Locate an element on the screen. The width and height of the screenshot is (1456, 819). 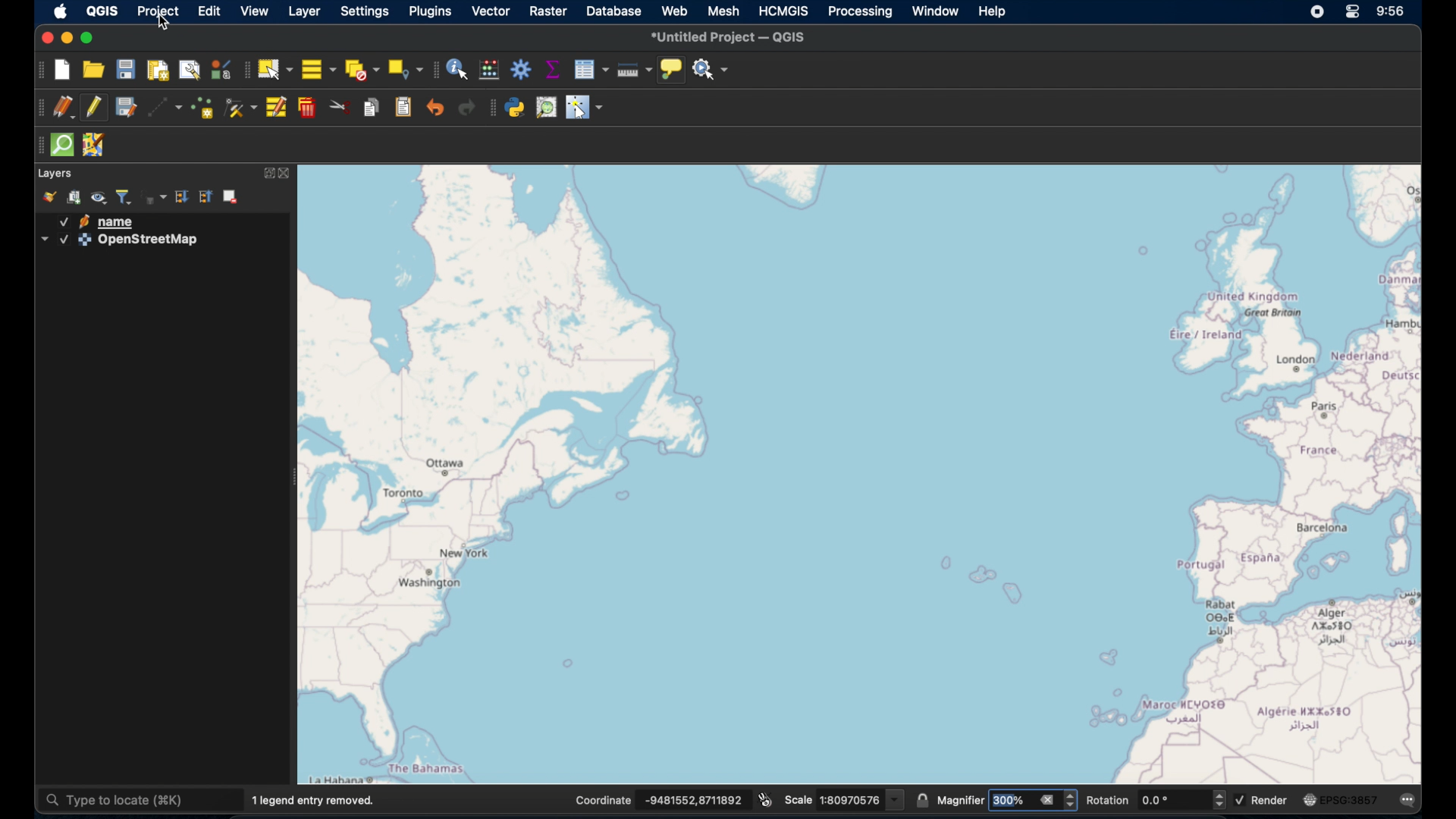
plugin toolbar is located at coordinates (491, 109).